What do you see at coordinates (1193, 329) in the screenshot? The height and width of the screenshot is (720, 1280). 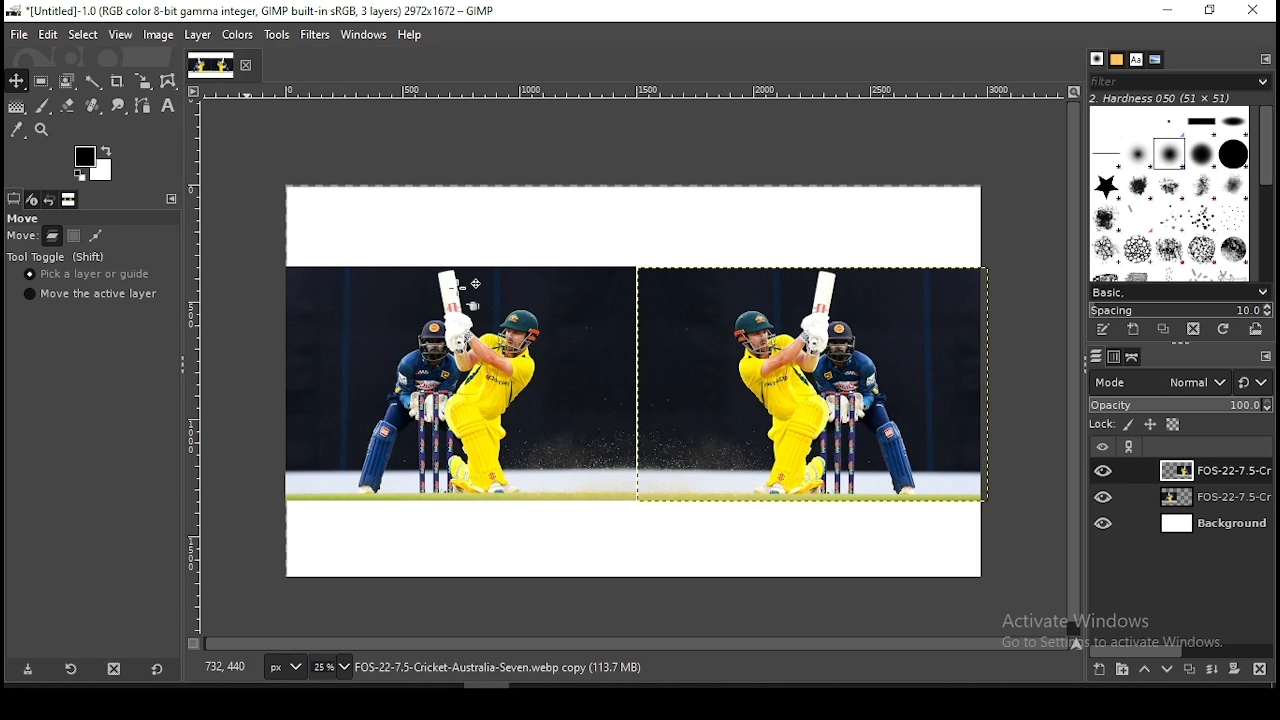 I see `delete brush` at bounding box center [1193, 329].